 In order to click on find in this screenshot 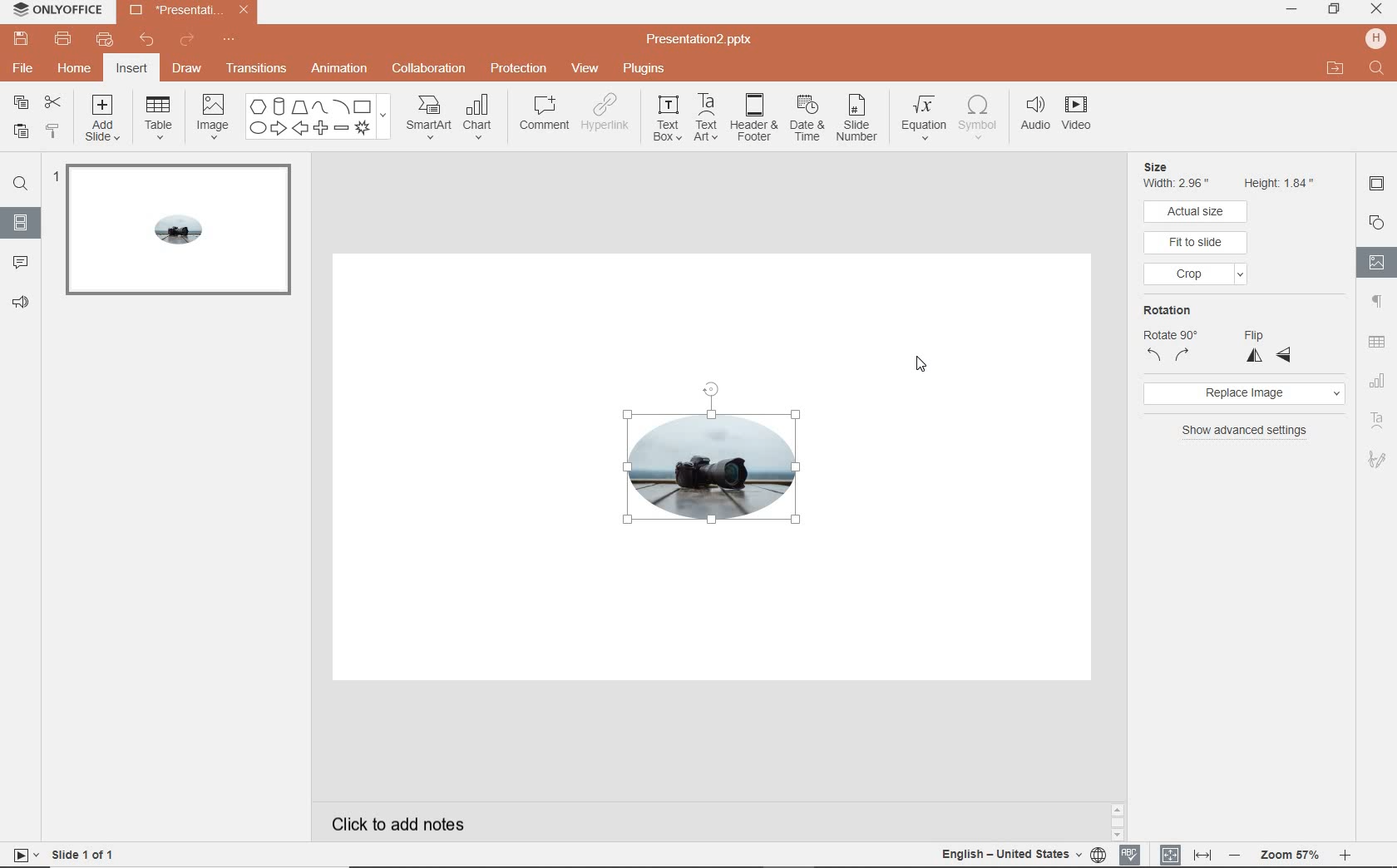, I will do `click(21, 182)`.